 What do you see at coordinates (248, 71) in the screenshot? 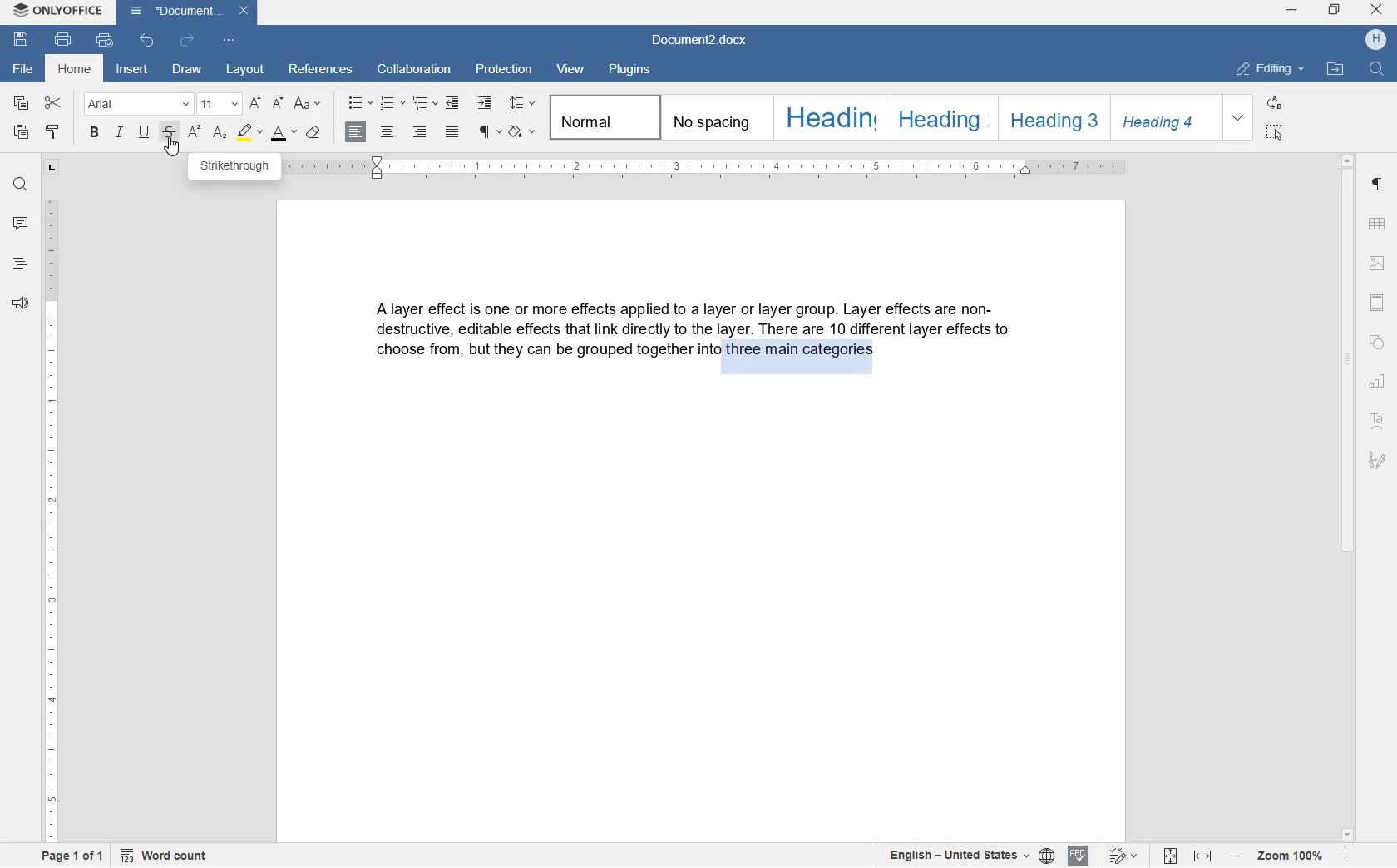
I see `layout` at bounding box center [248, 71].